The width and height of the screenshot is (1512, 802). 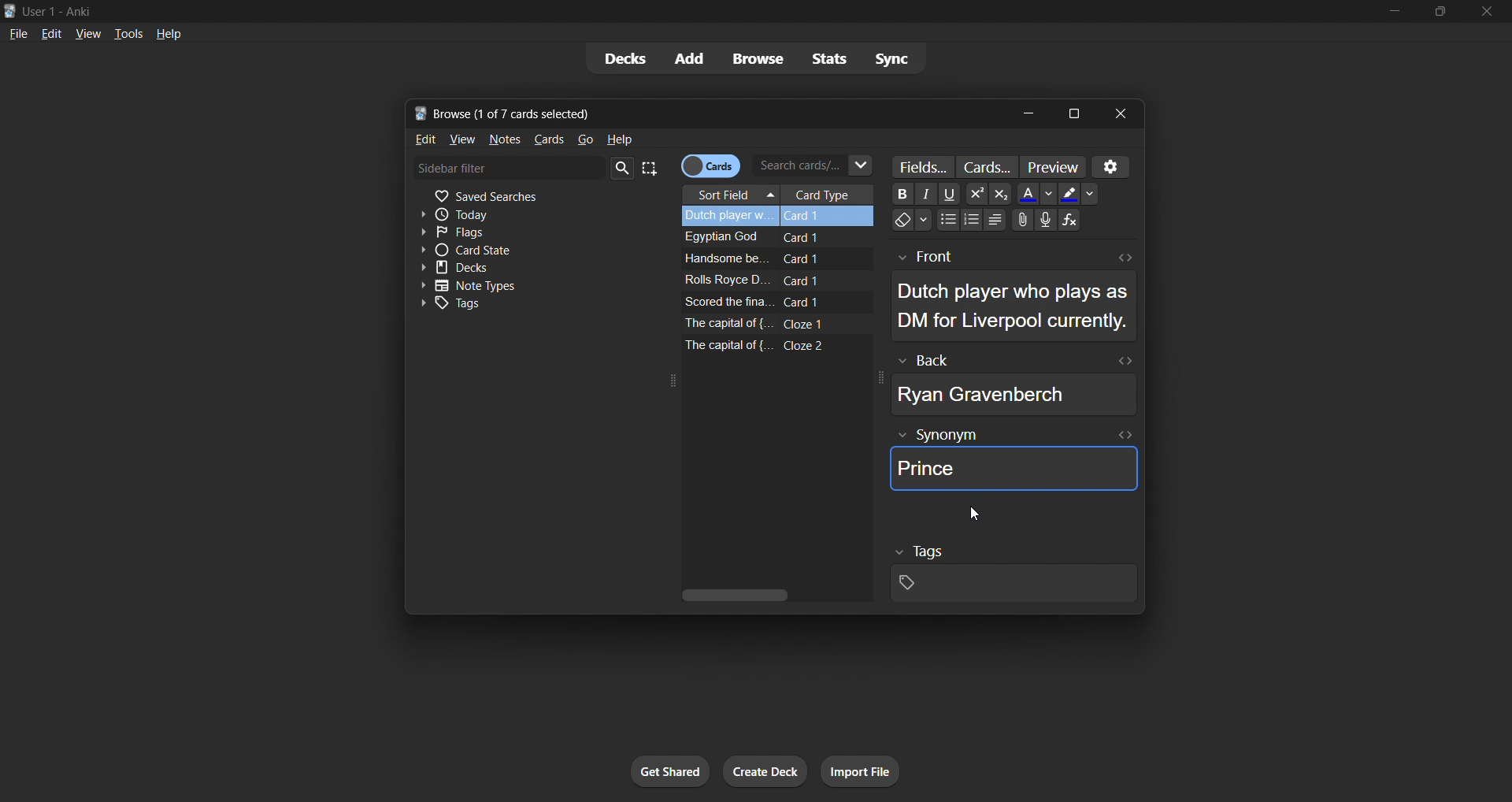 What do you see at coordinates (127, 33) in the screenshot?
I see `tools` at bounding box center [127, 33].